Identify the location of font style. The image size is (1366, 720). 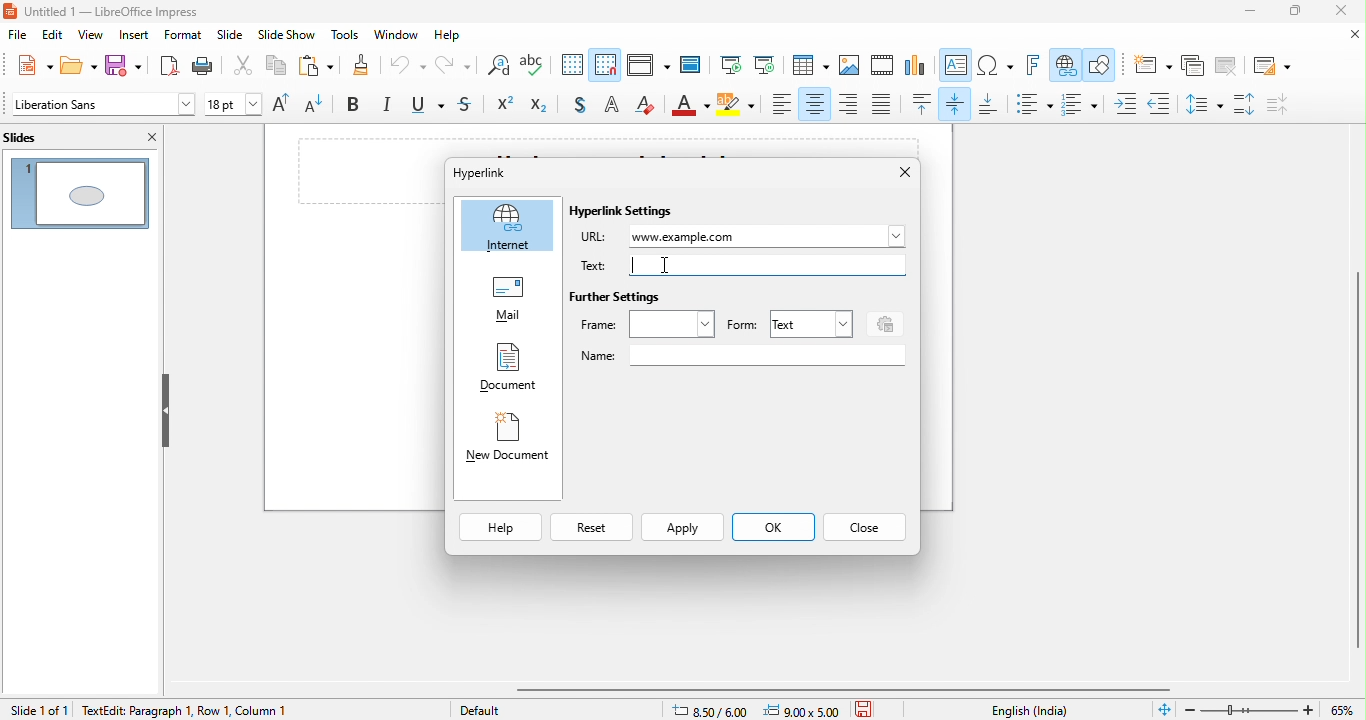
(101, 106).